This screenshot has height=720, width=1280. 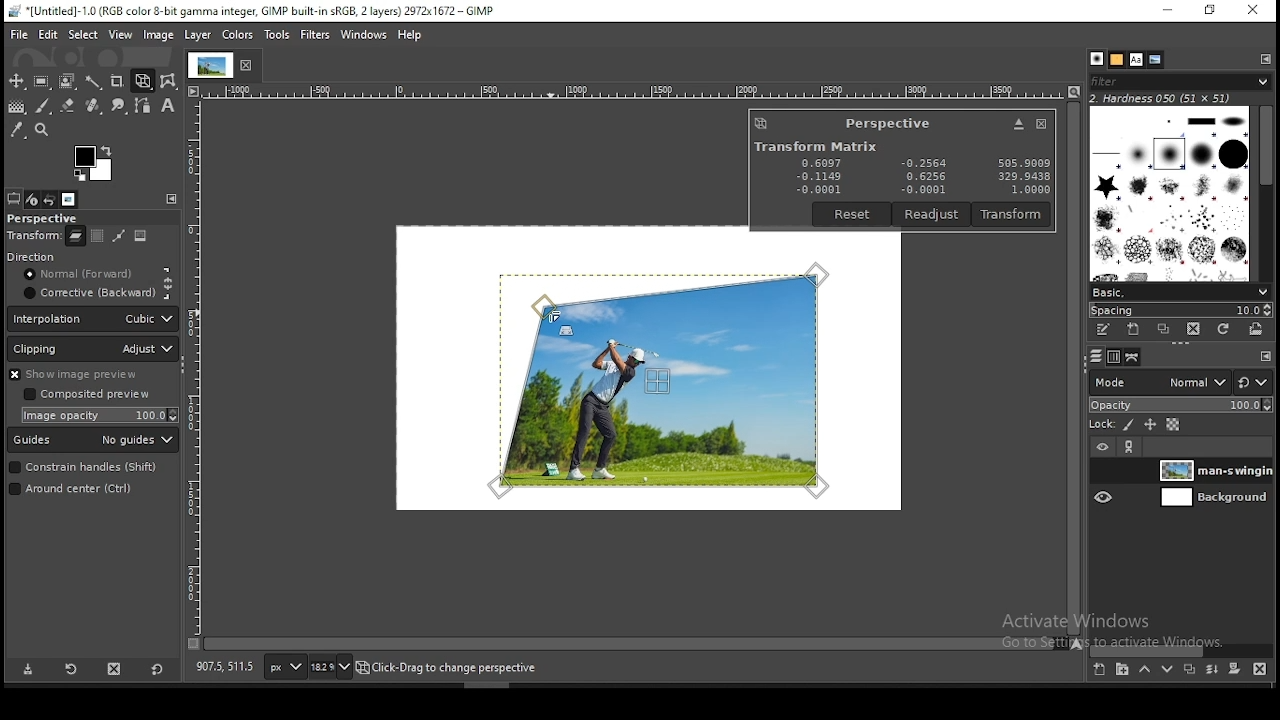 I want to click on lock, so click(x=1103, y=425).